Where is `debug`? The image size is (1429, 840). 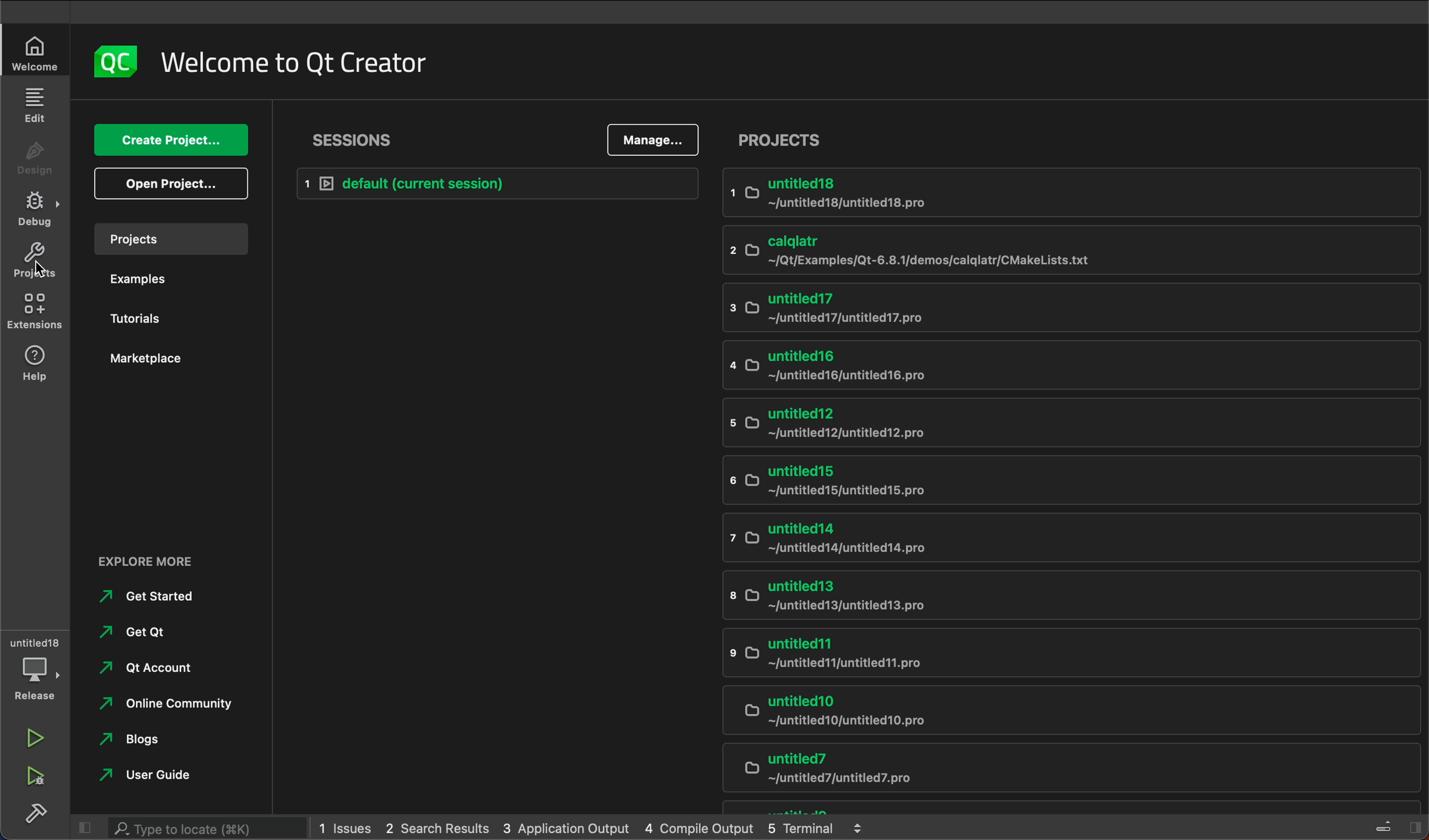 debug is located at coordinates (34, 207).